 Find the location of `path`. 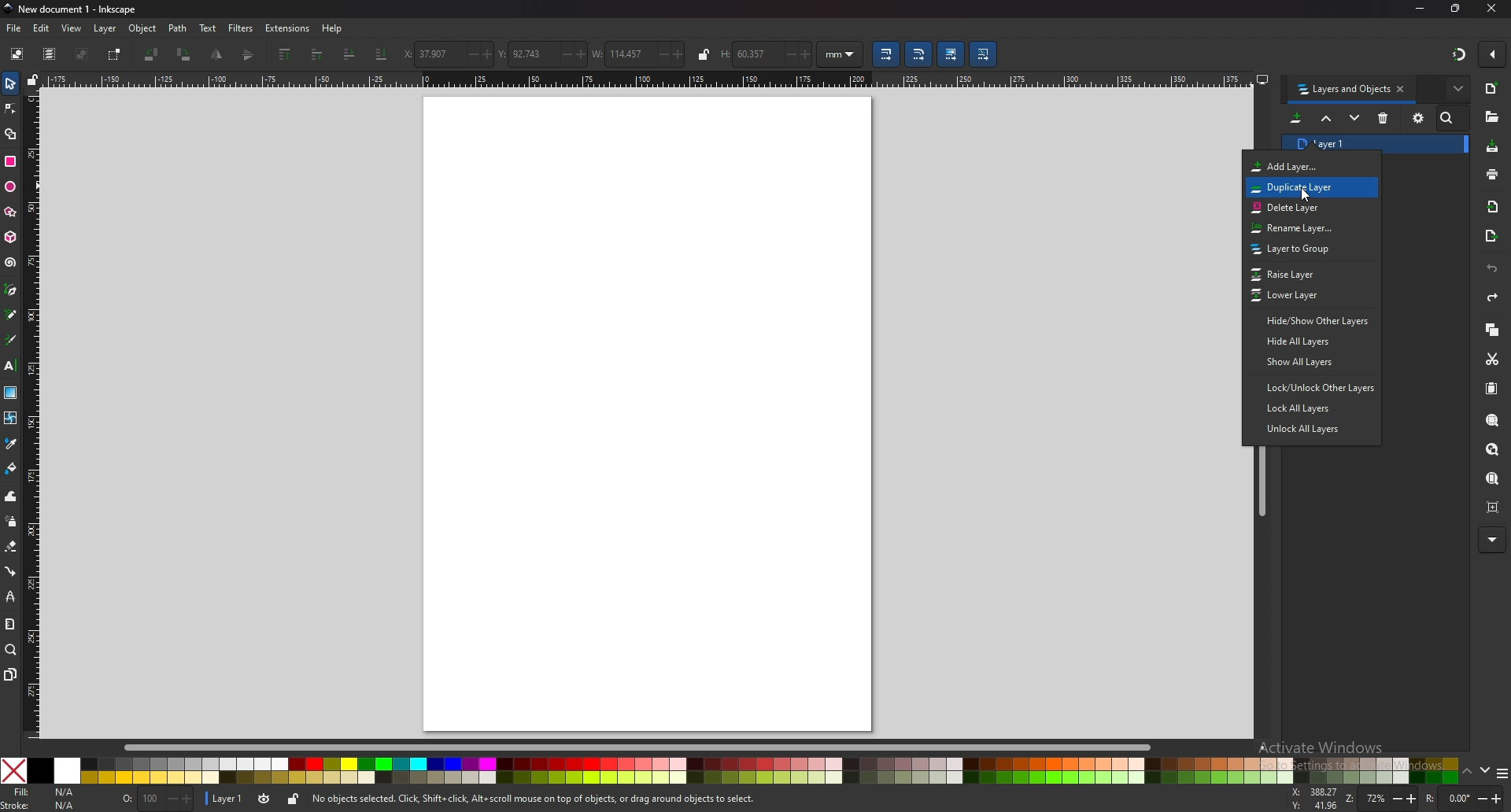

path is located at coordinates (178, 28).